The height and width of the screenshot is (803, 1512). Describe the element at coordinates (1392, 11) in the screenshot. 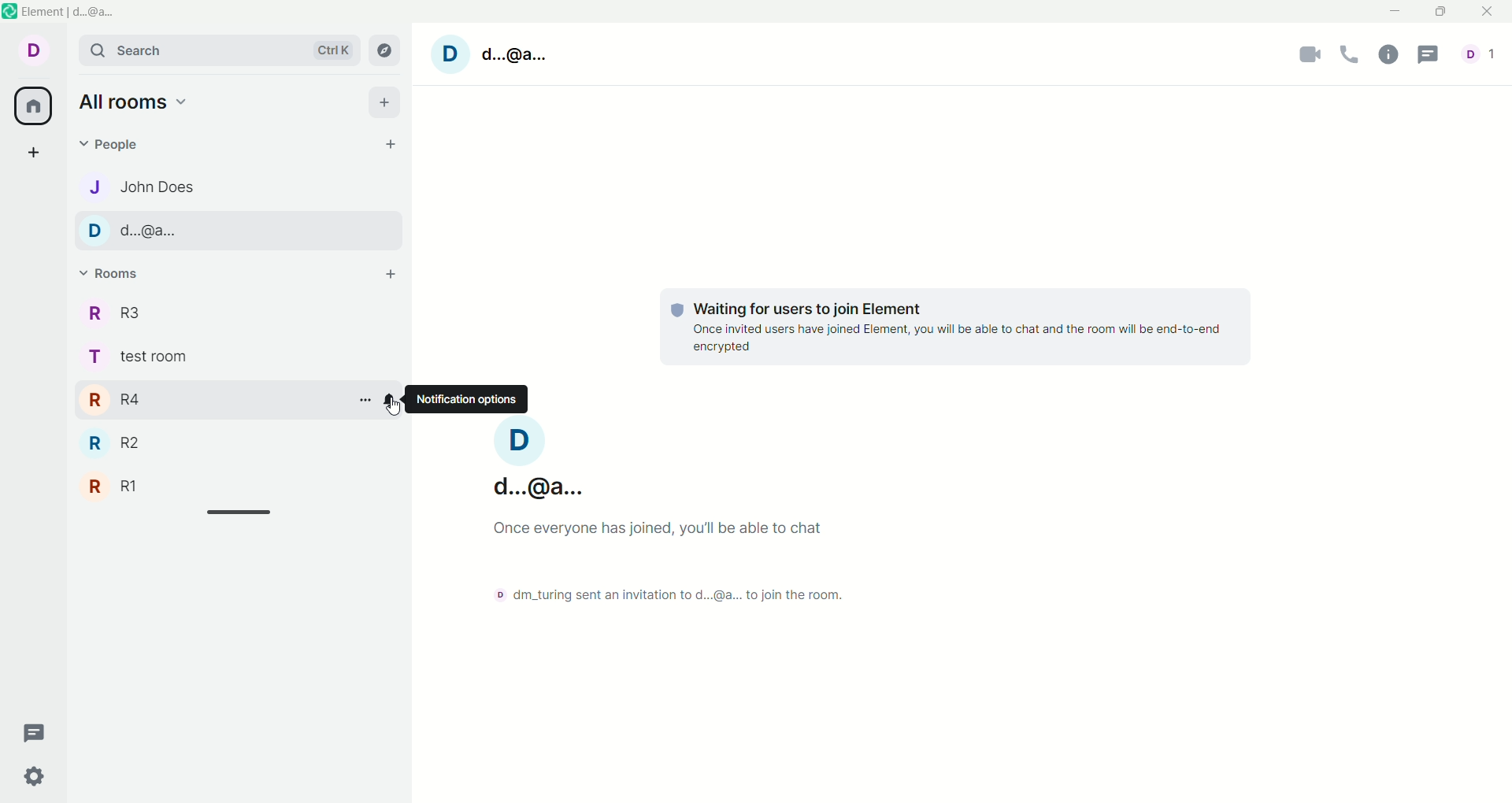

I see `minimize` at that location.